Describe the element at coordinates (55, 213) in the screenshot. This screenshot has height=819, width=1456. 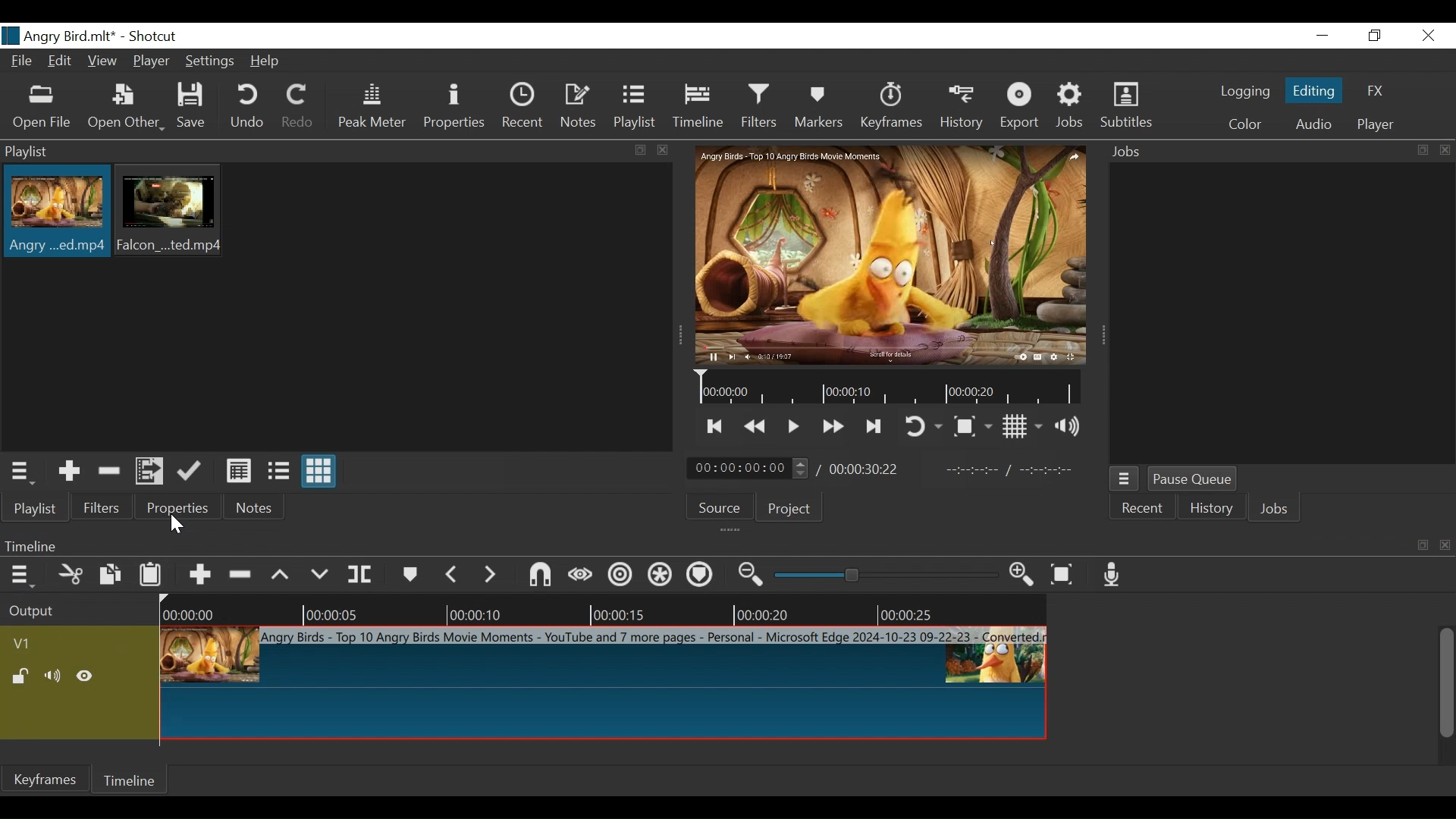
I see `Clip` at that location.